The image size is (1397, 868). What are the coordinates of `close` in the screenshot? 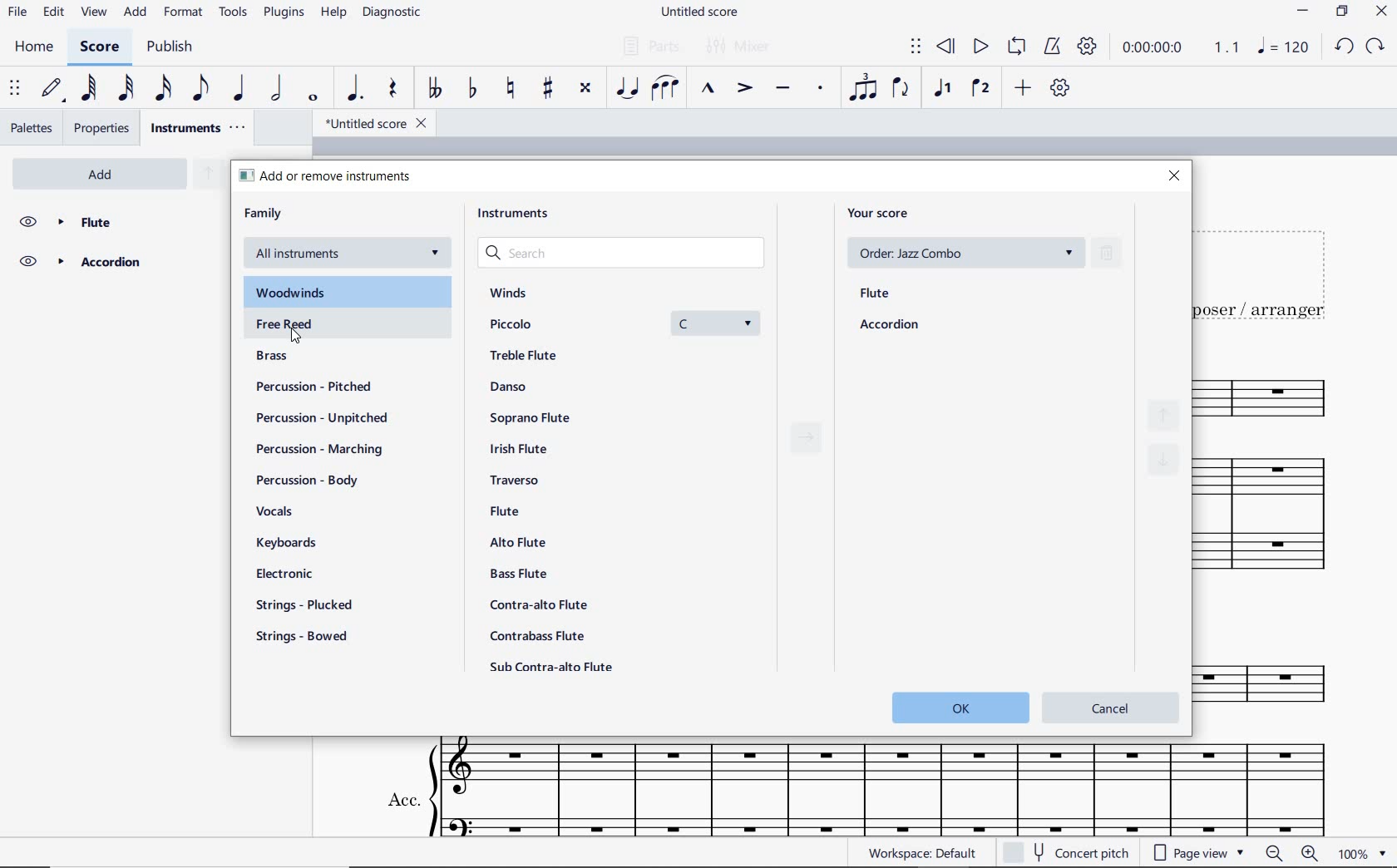 It's located at (1176, 175).